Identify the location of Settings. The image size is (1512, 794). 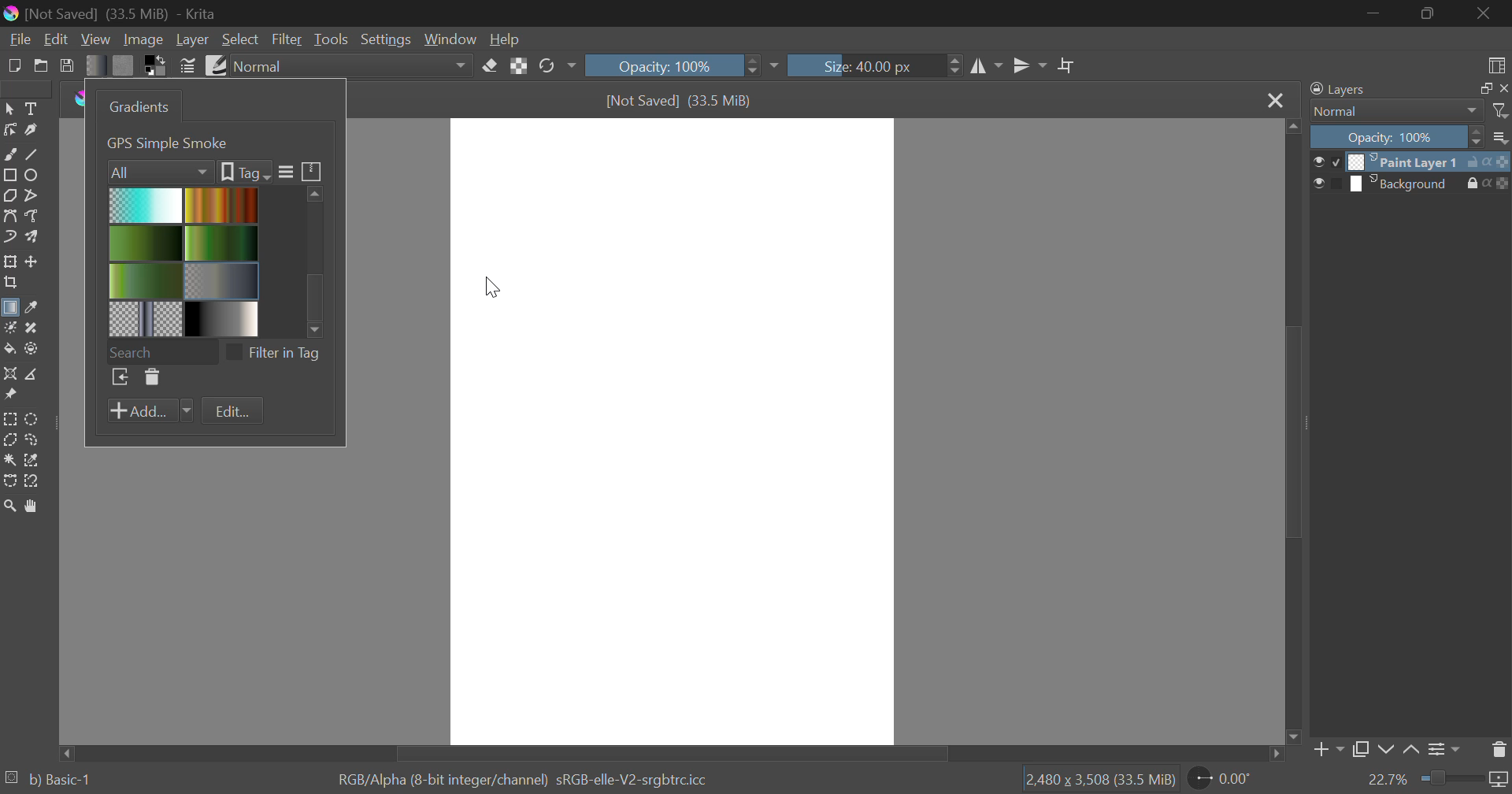
(384, 39).